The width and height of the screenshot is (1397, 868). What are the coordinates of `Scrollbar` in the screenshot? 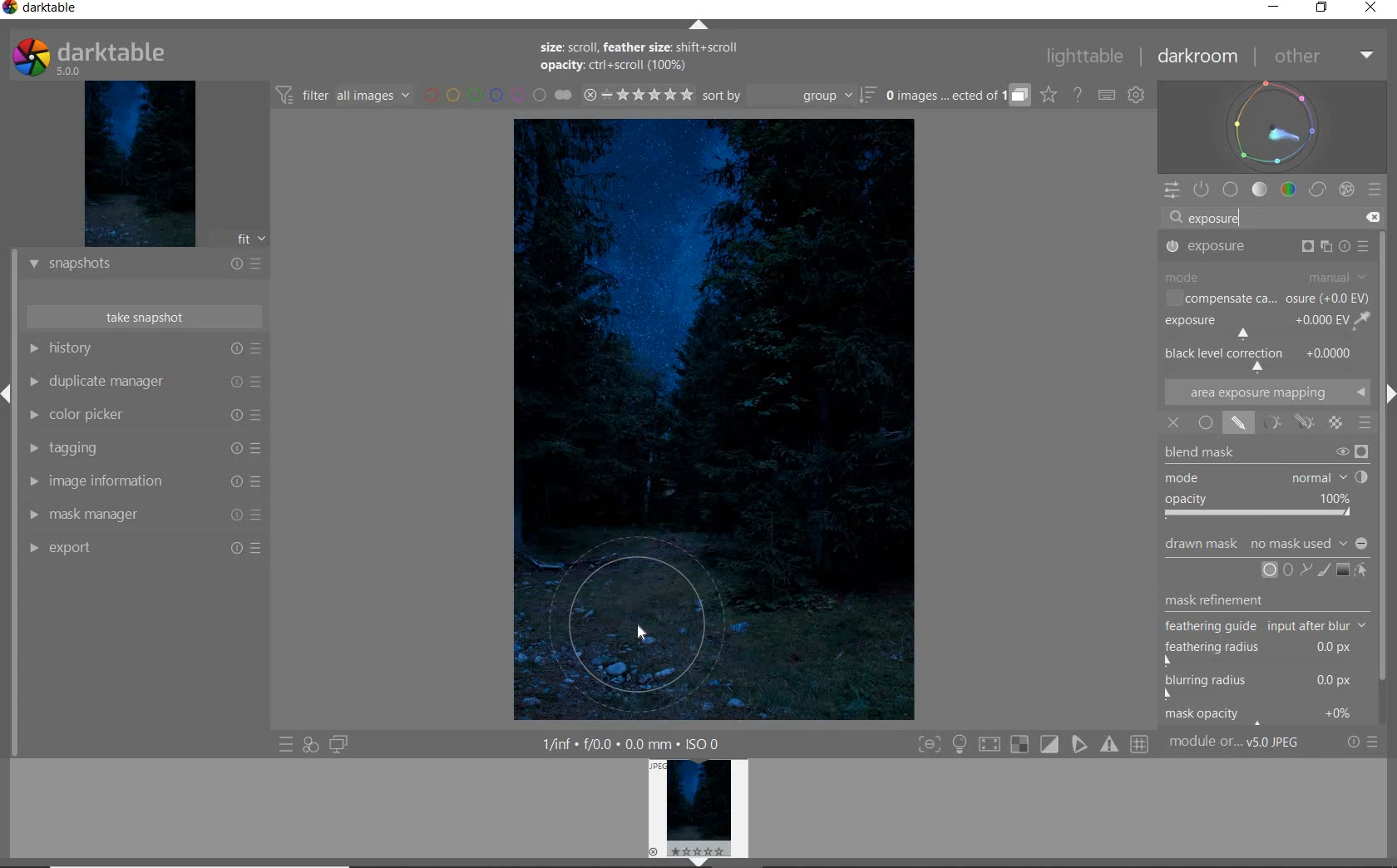 It's located at (1389, 565).